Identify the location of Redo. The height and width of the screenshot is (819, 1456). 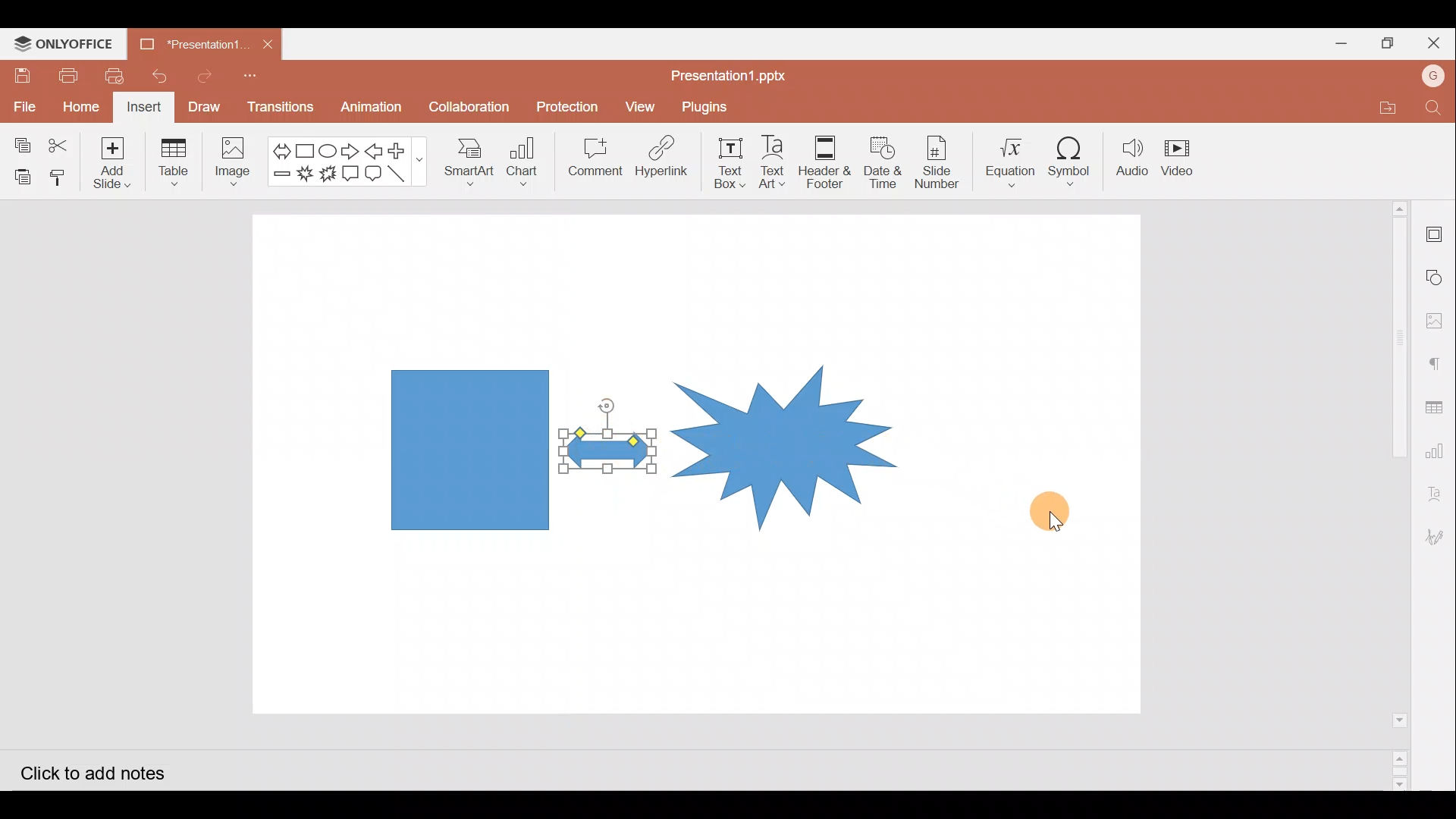
(210, 77).